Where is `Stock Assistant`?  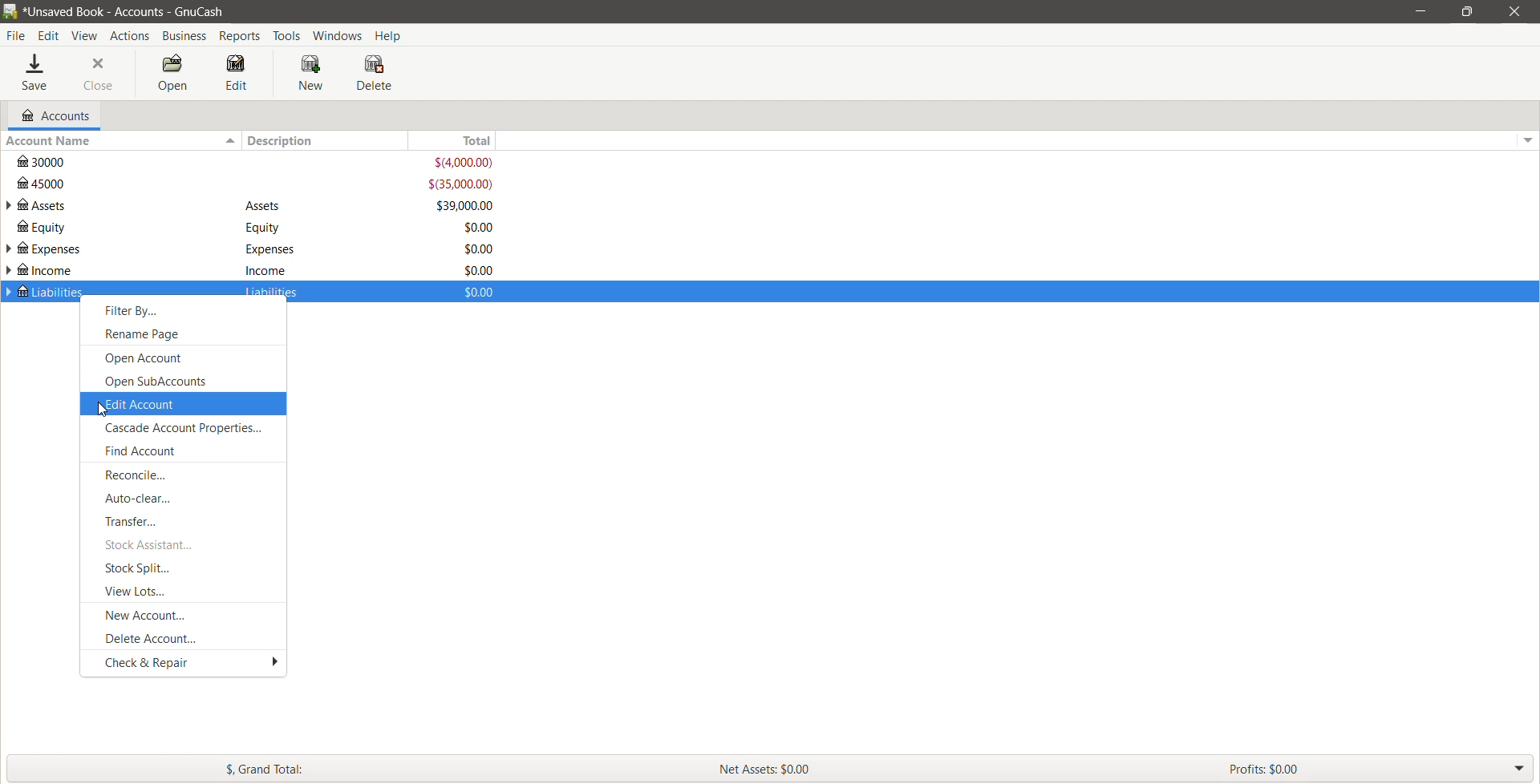
Stock Assistant is located at coordinates (150, 544).